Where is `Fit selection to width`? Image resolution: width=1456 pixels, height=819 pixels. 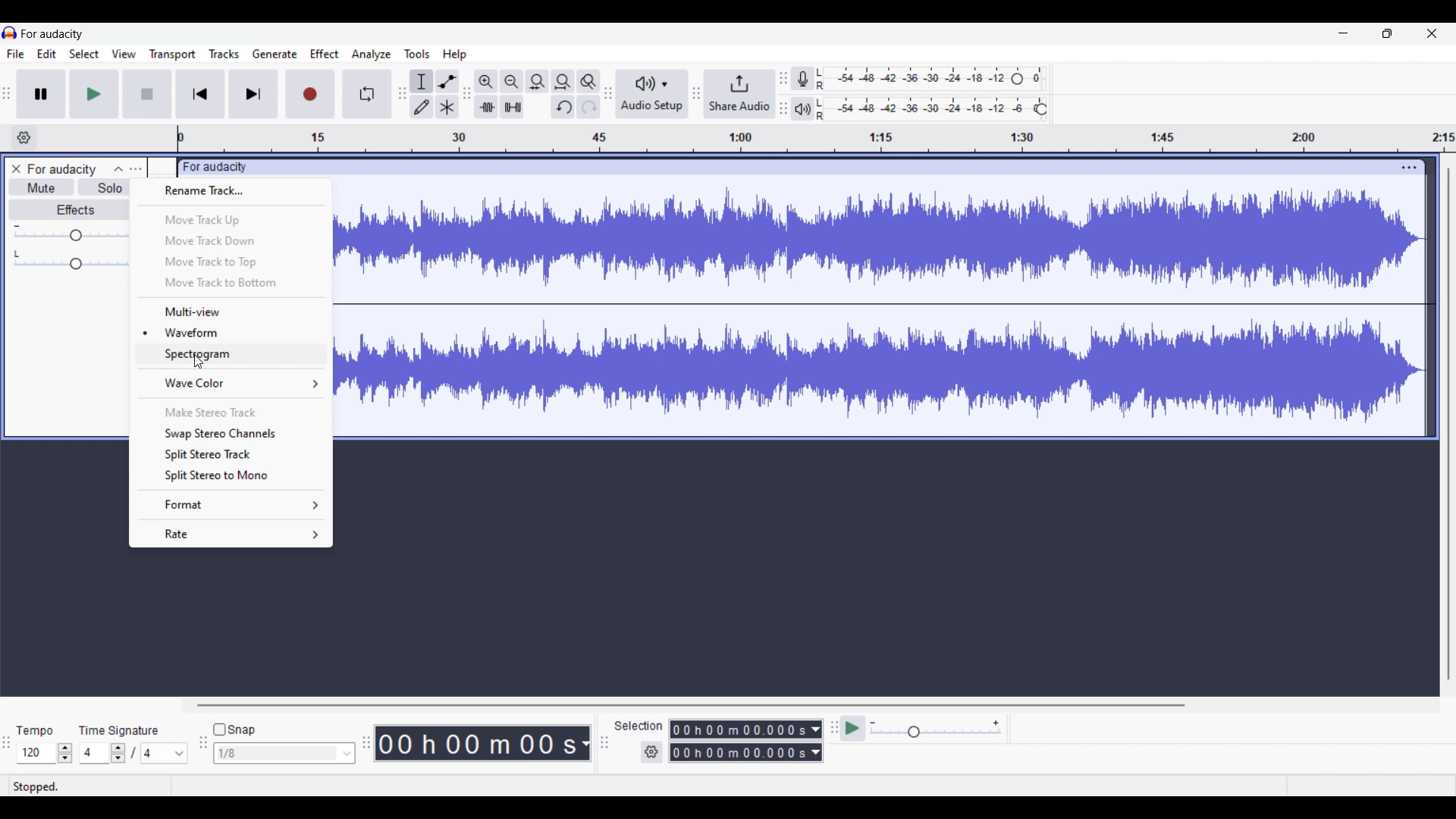
Fit selection to width is located at coordinates (538, 82).